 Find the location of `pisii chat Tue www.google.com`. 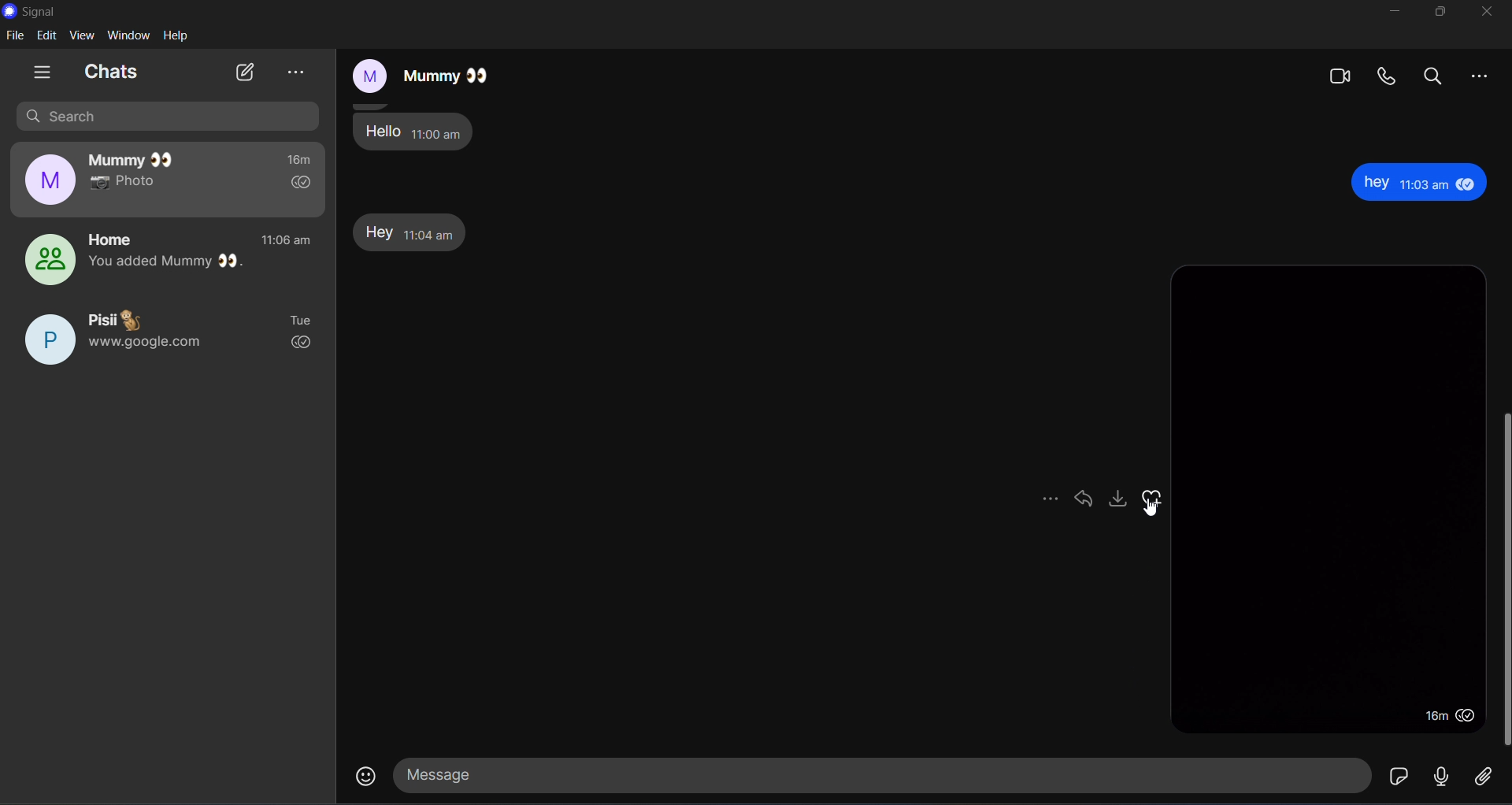

pisii chat Tue www.google.com is located at coordinates (166, 341).